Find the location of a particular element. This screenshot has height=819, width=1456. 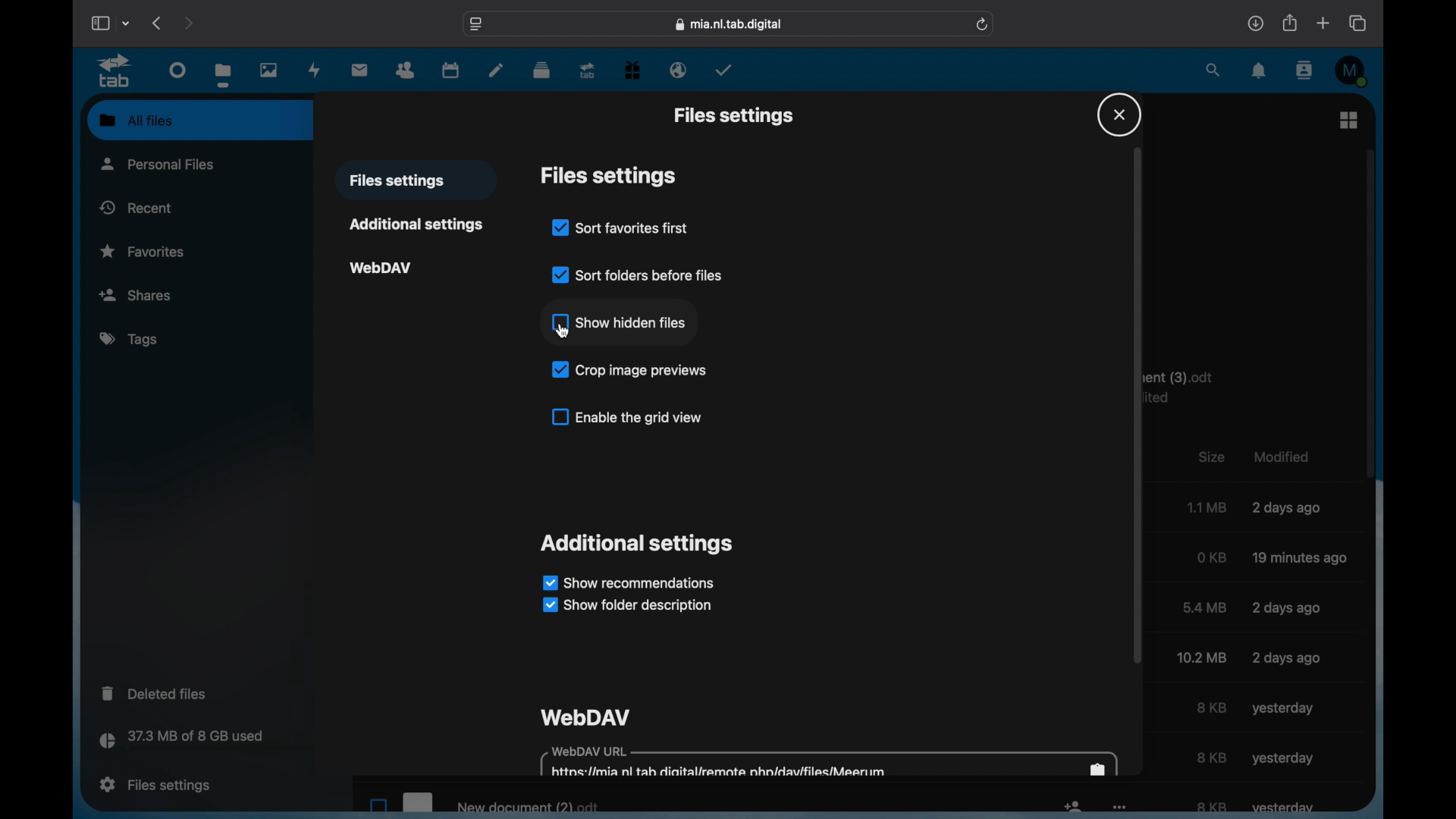

scroll box is located at coordinates (1138, 406).